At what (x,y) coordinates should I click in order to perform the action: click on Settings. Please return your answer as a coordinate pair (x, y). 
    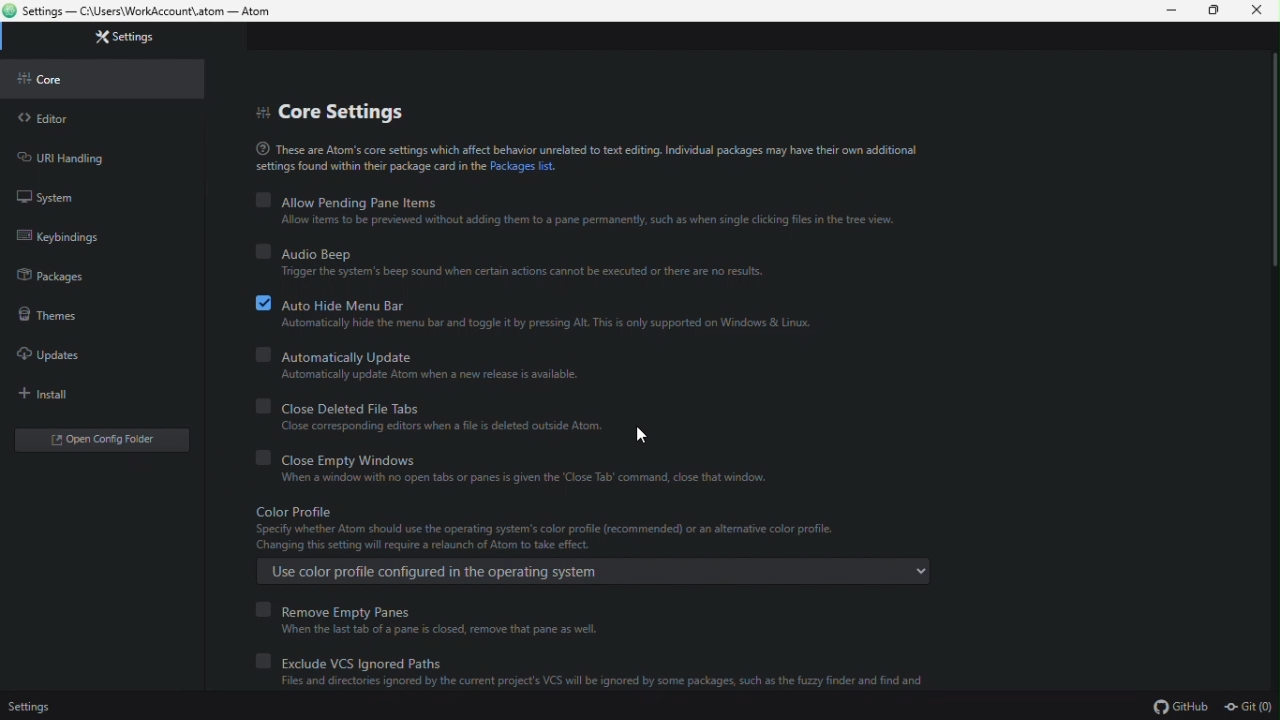
    Looking at the image, I should click on (33, 709).